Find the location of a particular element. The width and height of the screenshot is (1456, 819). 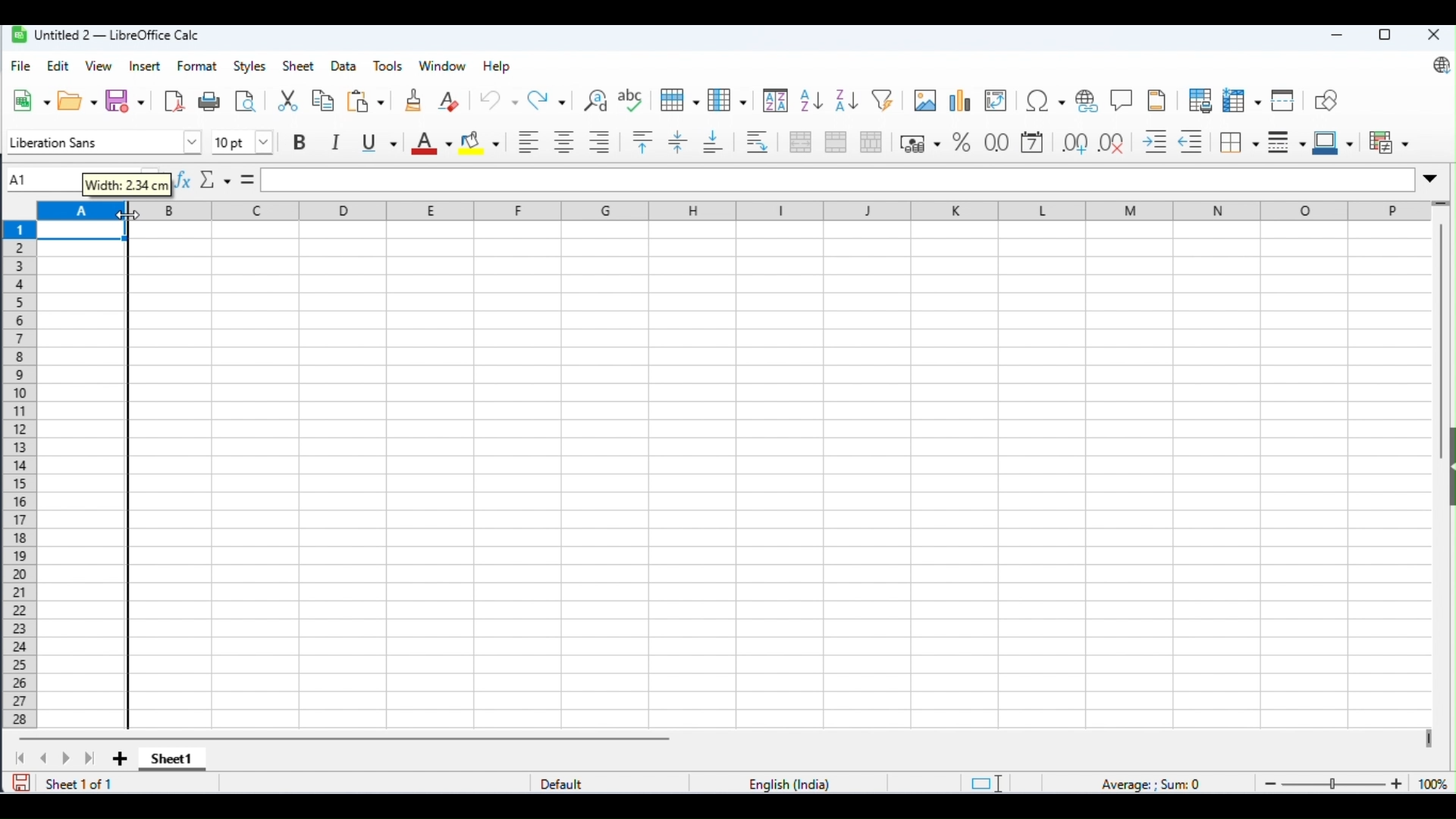

sort is located at coordinates (774, 101).